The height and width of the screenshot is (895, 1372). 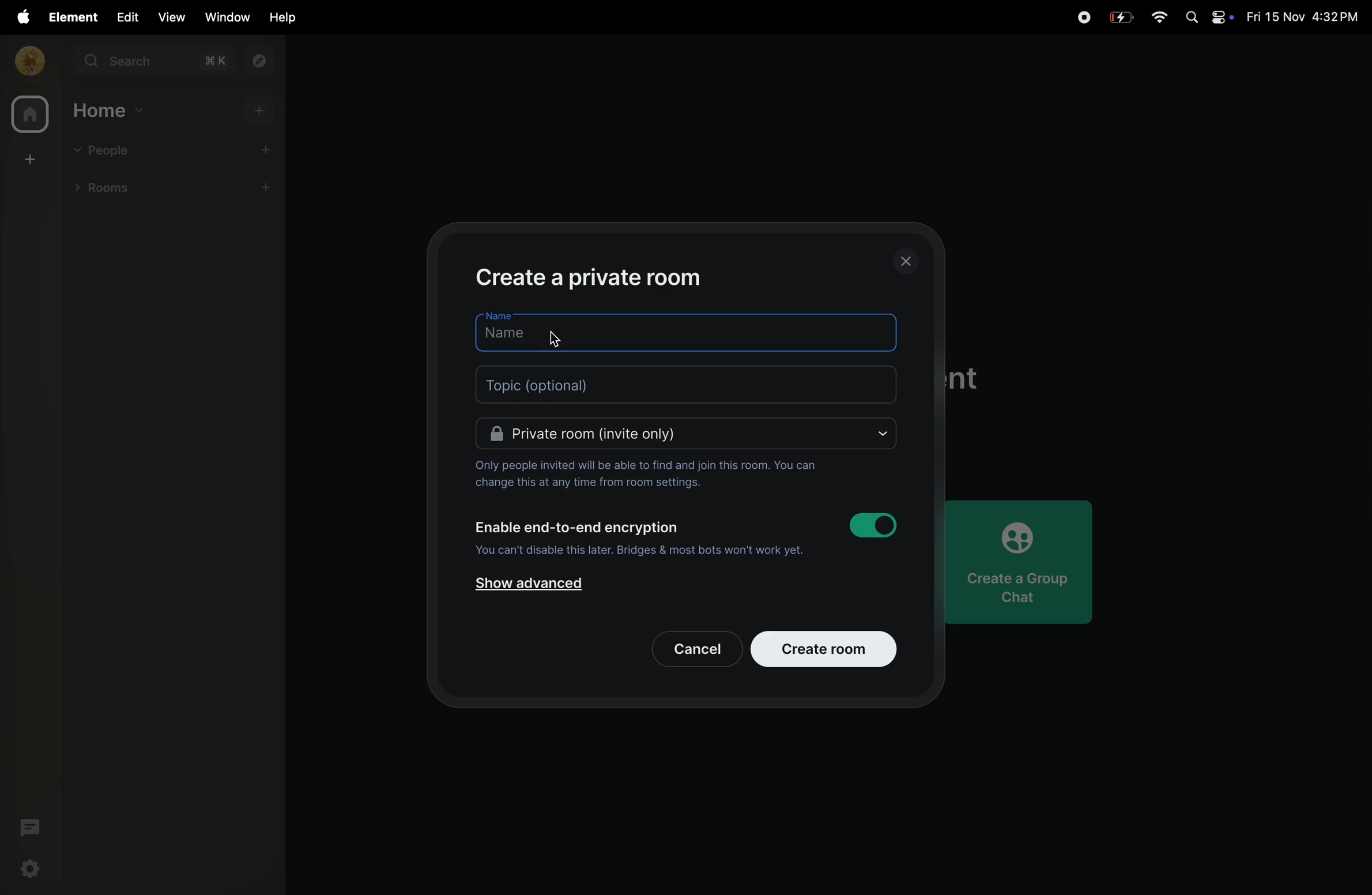 I want to click on window, so click(x=224, y=17).